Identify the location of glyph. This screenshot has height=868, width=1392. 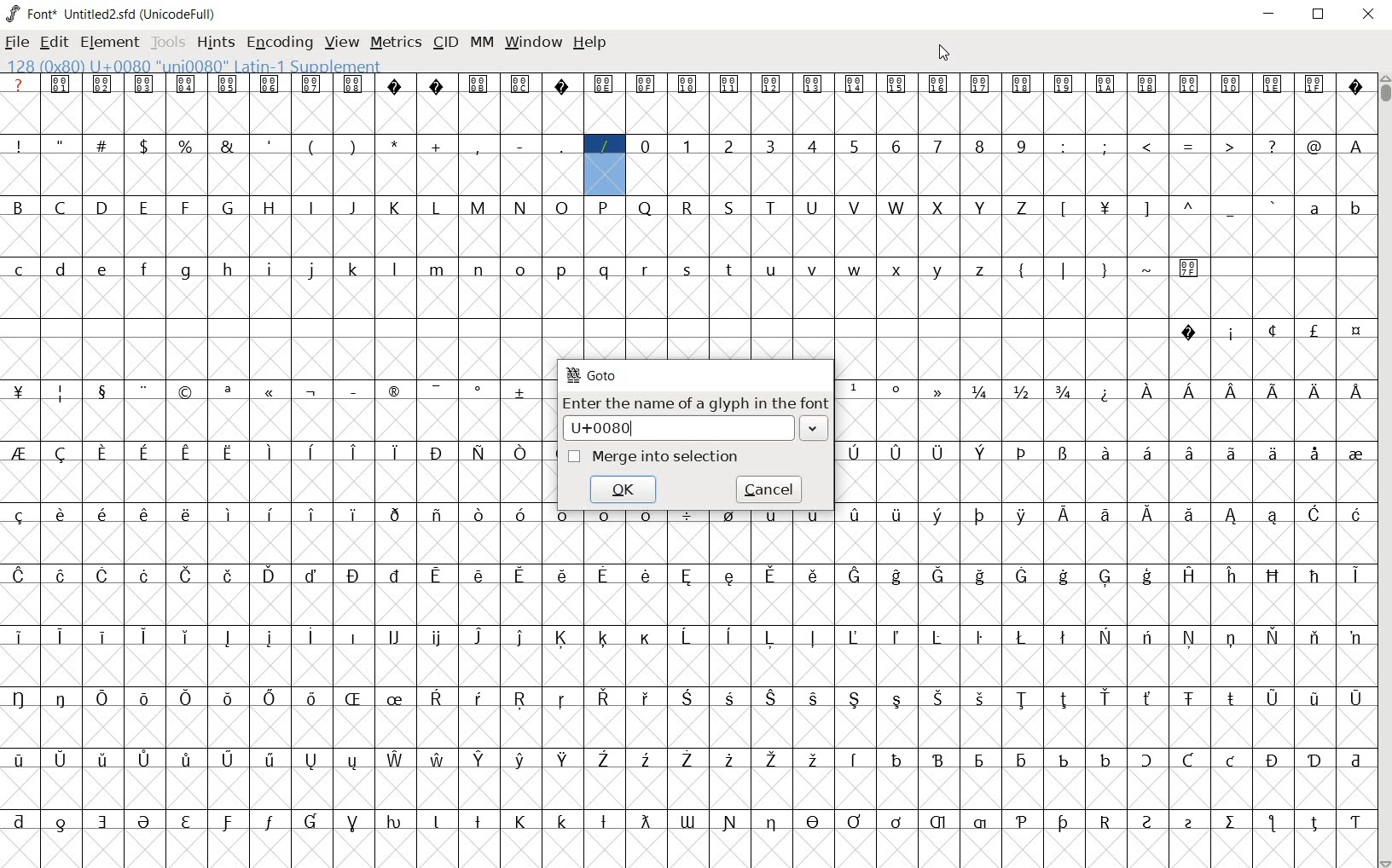
(896, 207).